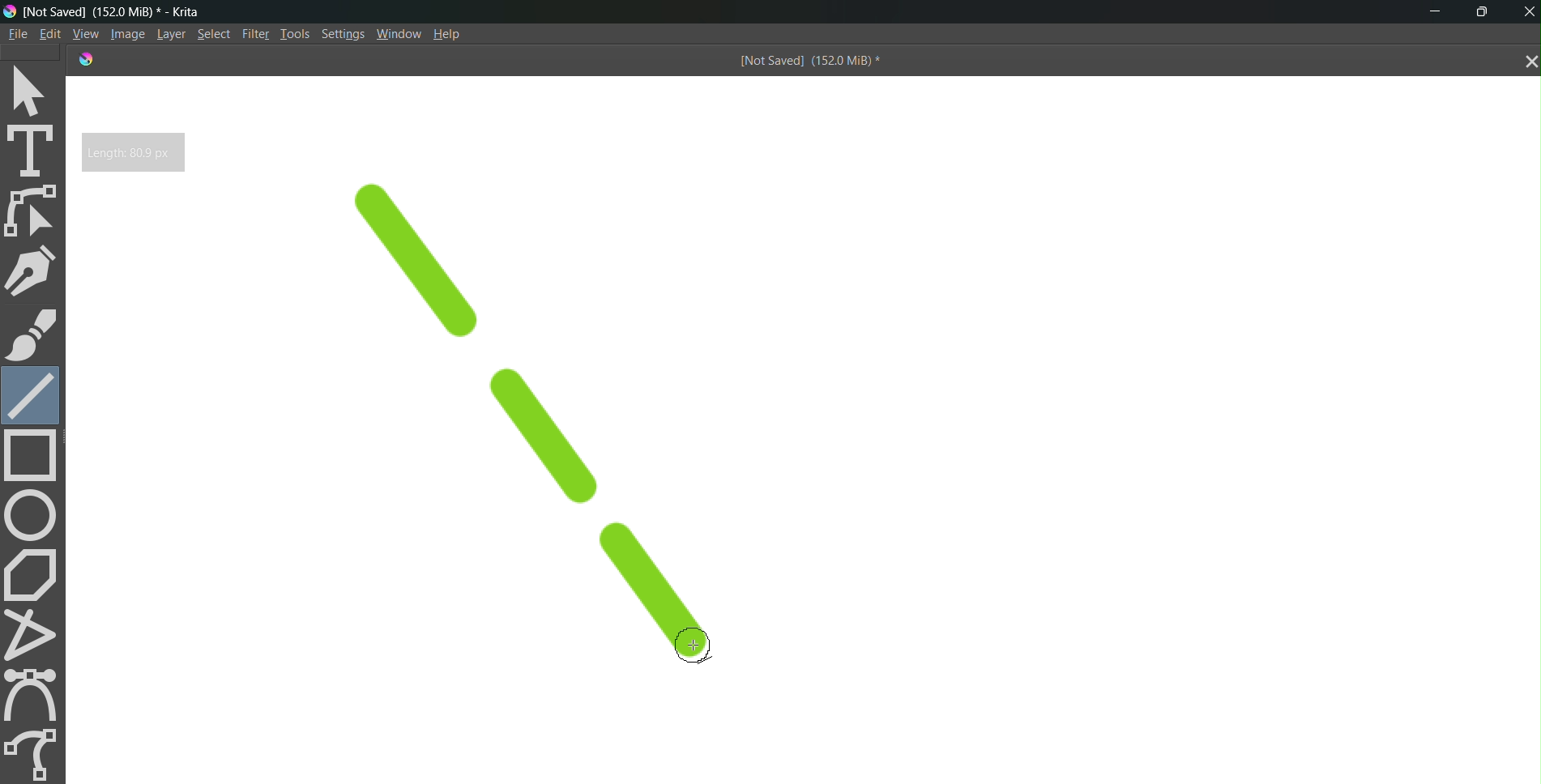 Image resolution: width=1541 pixels, height=784 pixels. What do you see at coordinates (1526, 11) in the screenshot?
I see `Close` at bounding box center [1526, 11].